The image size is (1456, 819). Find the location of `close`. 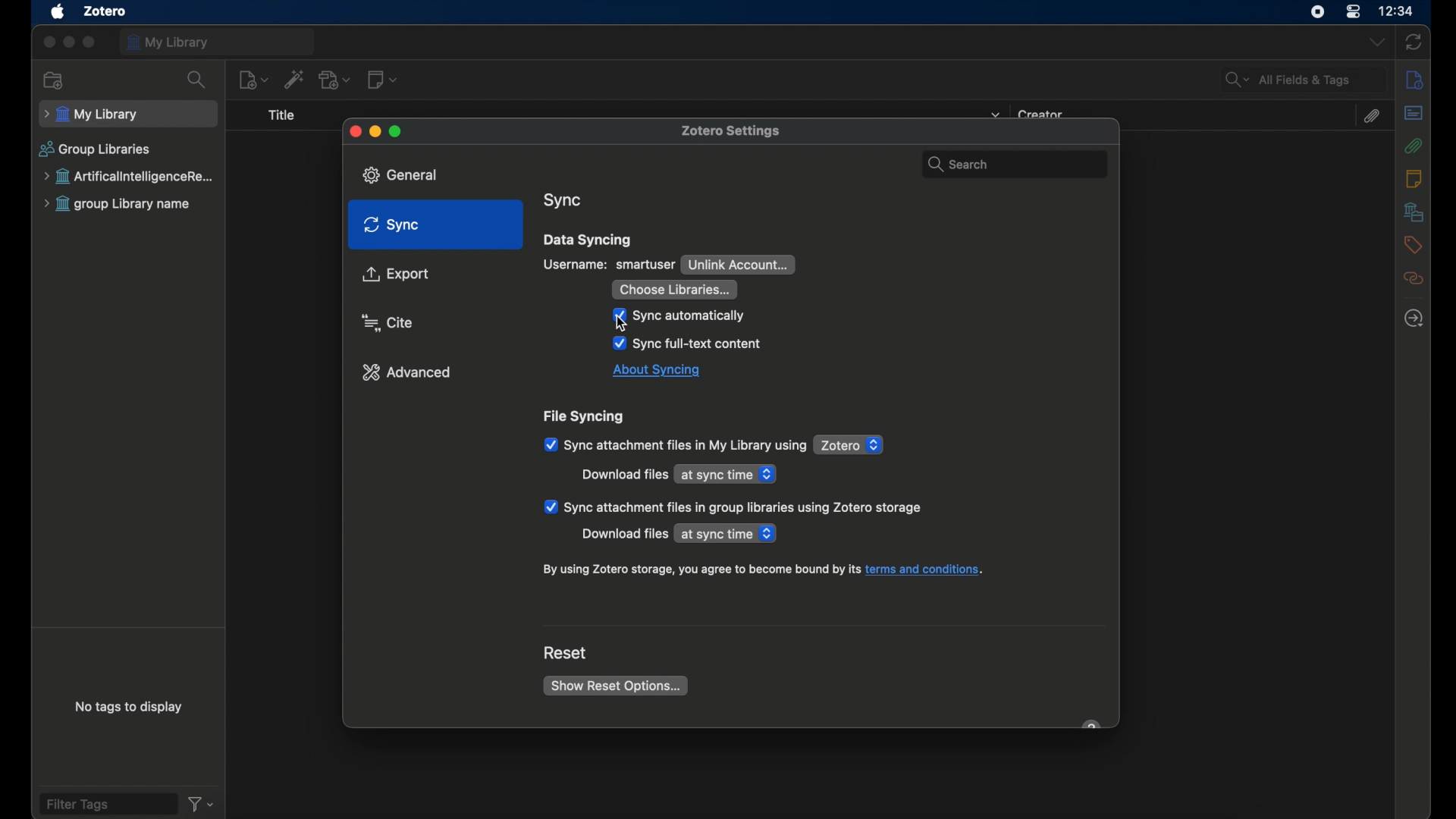

close is located at coordinates (47, 43).